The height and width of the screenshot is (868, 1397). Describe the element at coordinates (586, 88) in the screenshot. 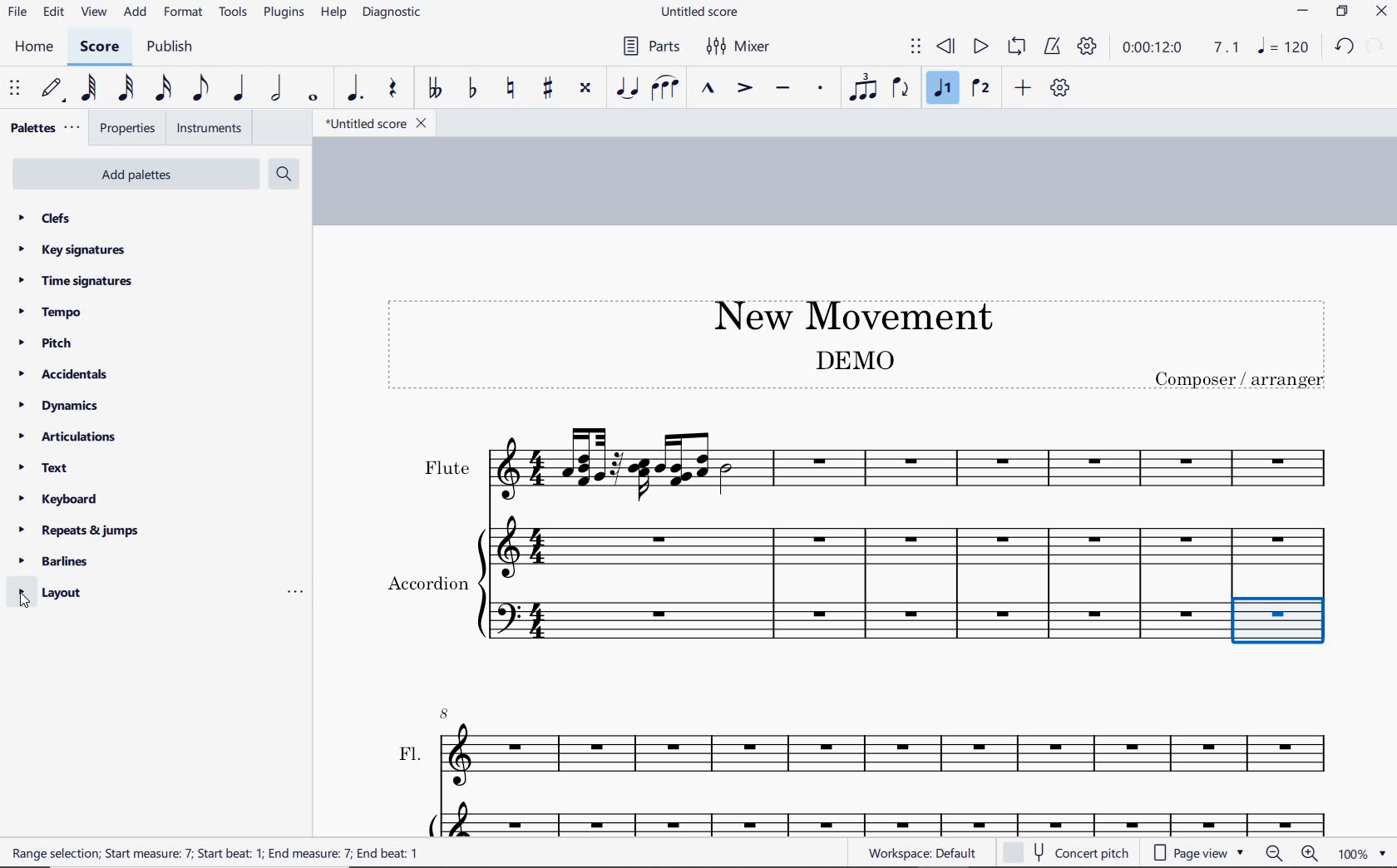

I see `toggle double-sharp` at that location.